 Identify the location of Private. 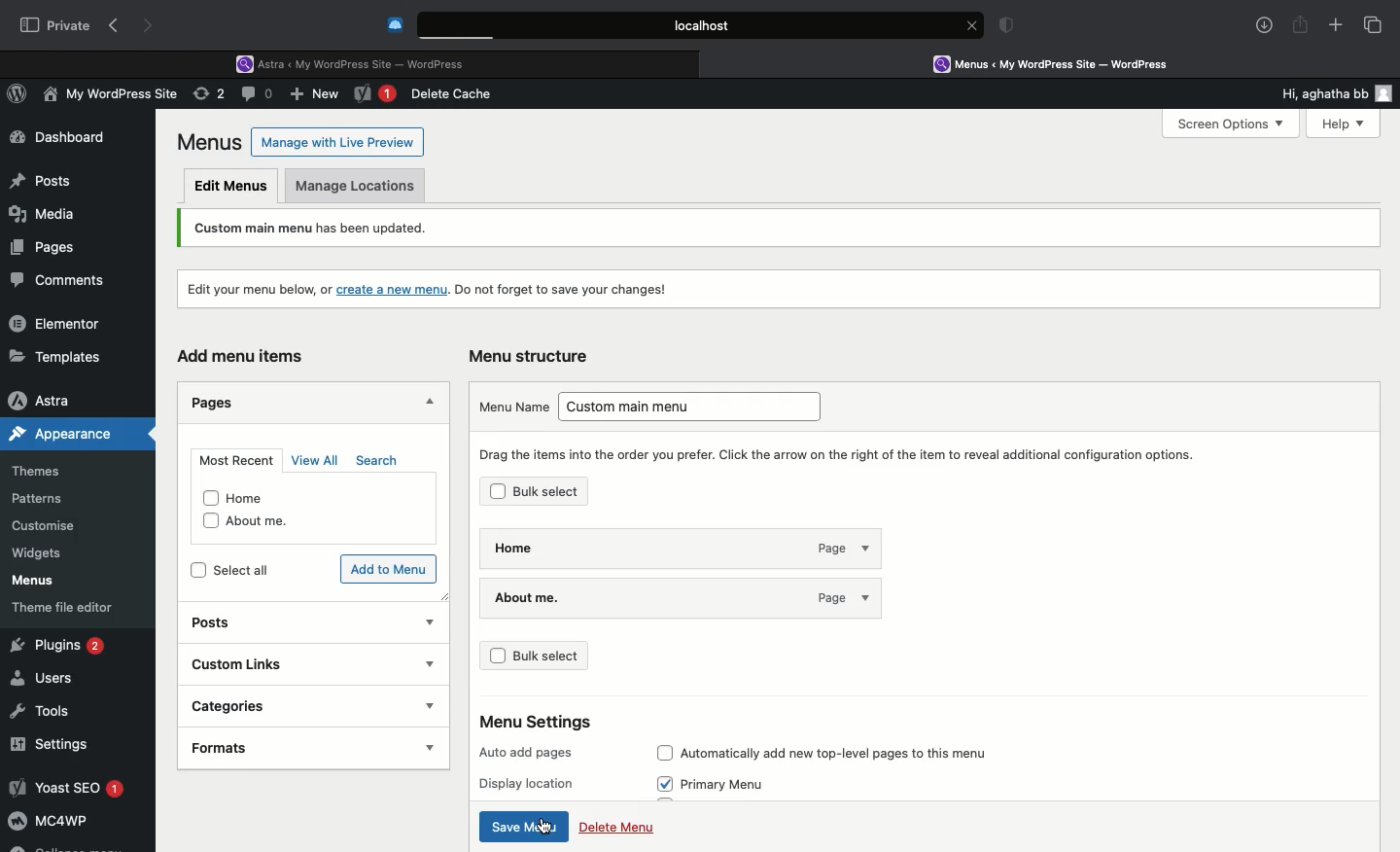
(55, 24).